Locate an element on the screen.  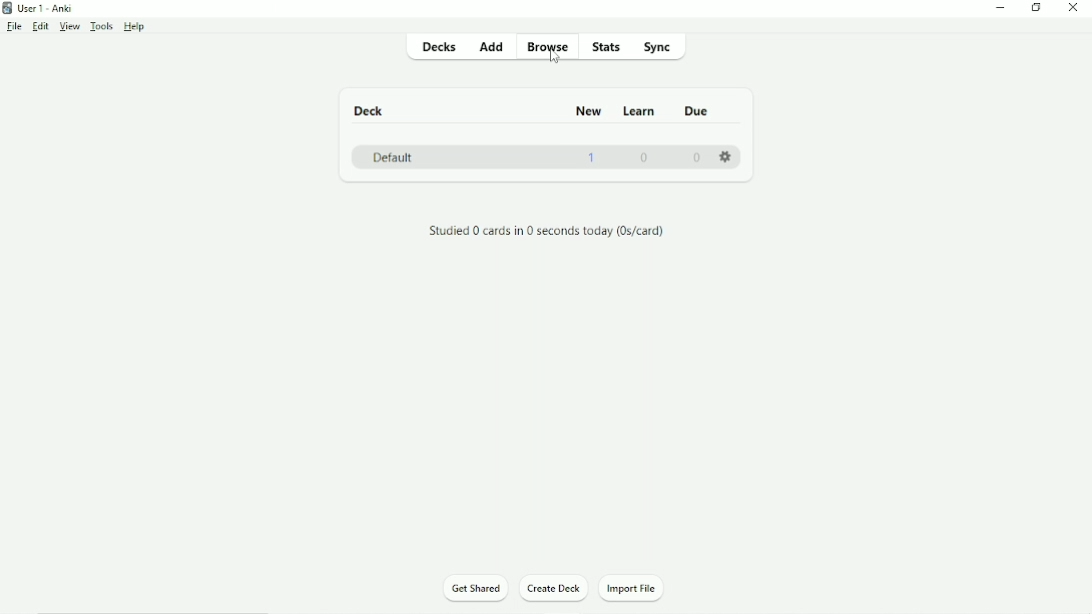
Due is located at coordinates (697, 111).